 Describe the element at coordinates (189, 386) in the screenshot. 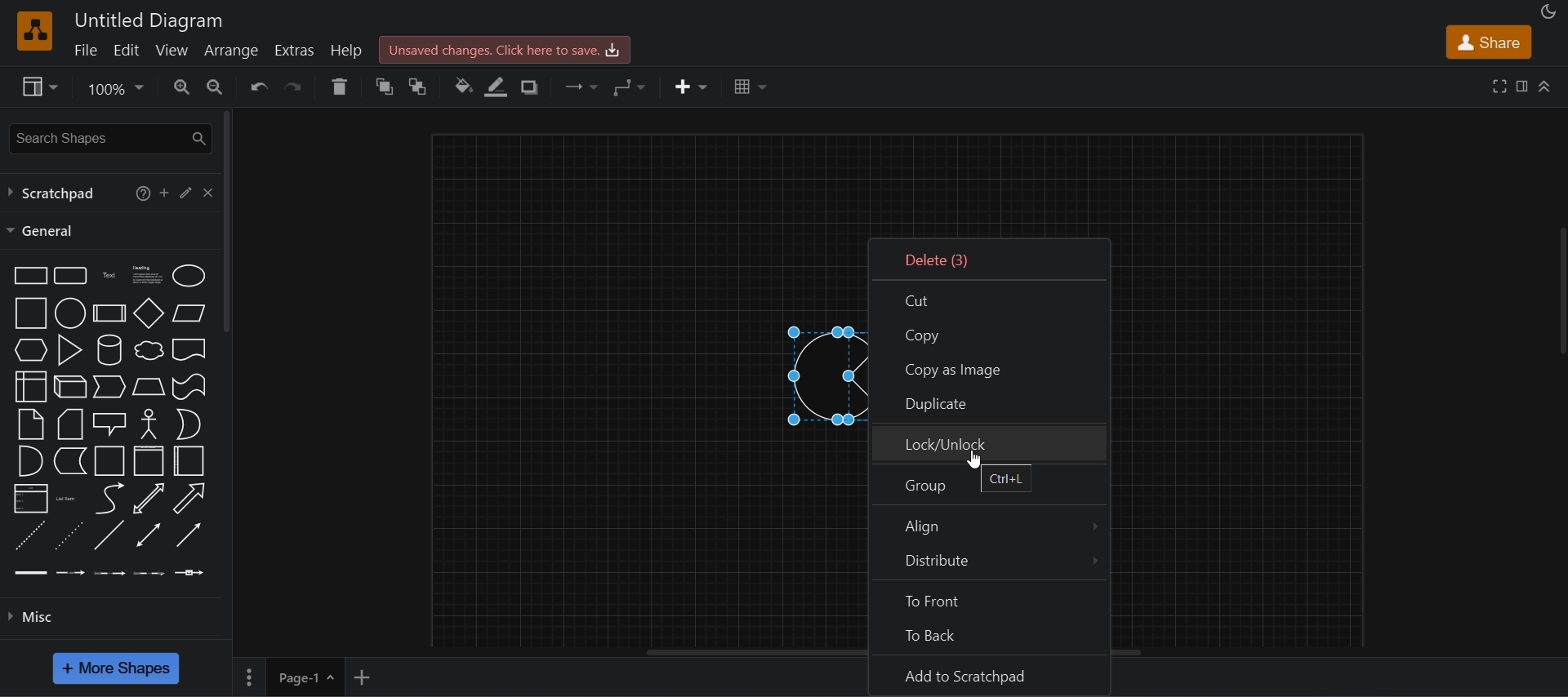

I see `taPE` at that location.